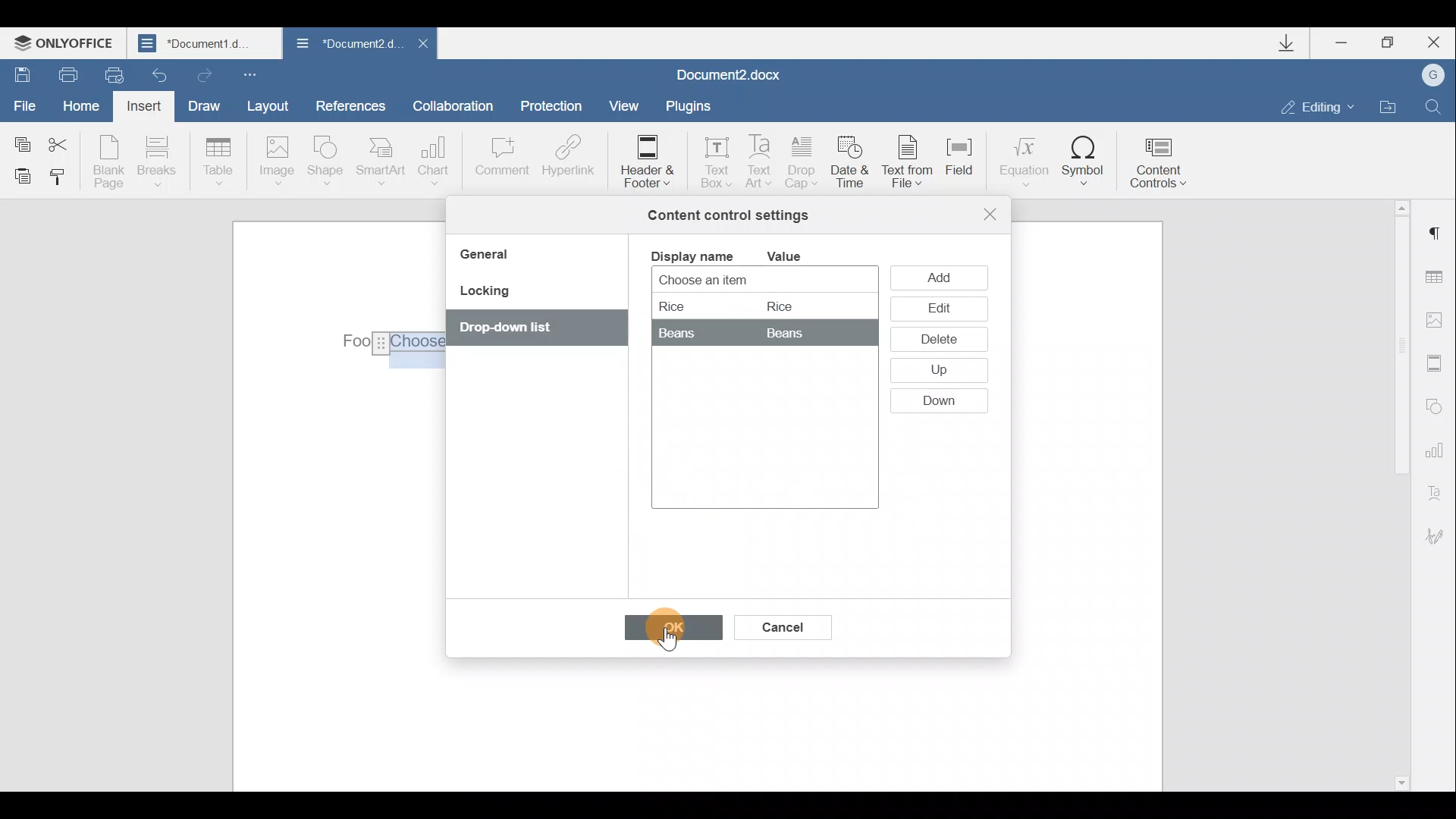 The image size is (1456, 819). I want to click on Locking, so click(484, 296).